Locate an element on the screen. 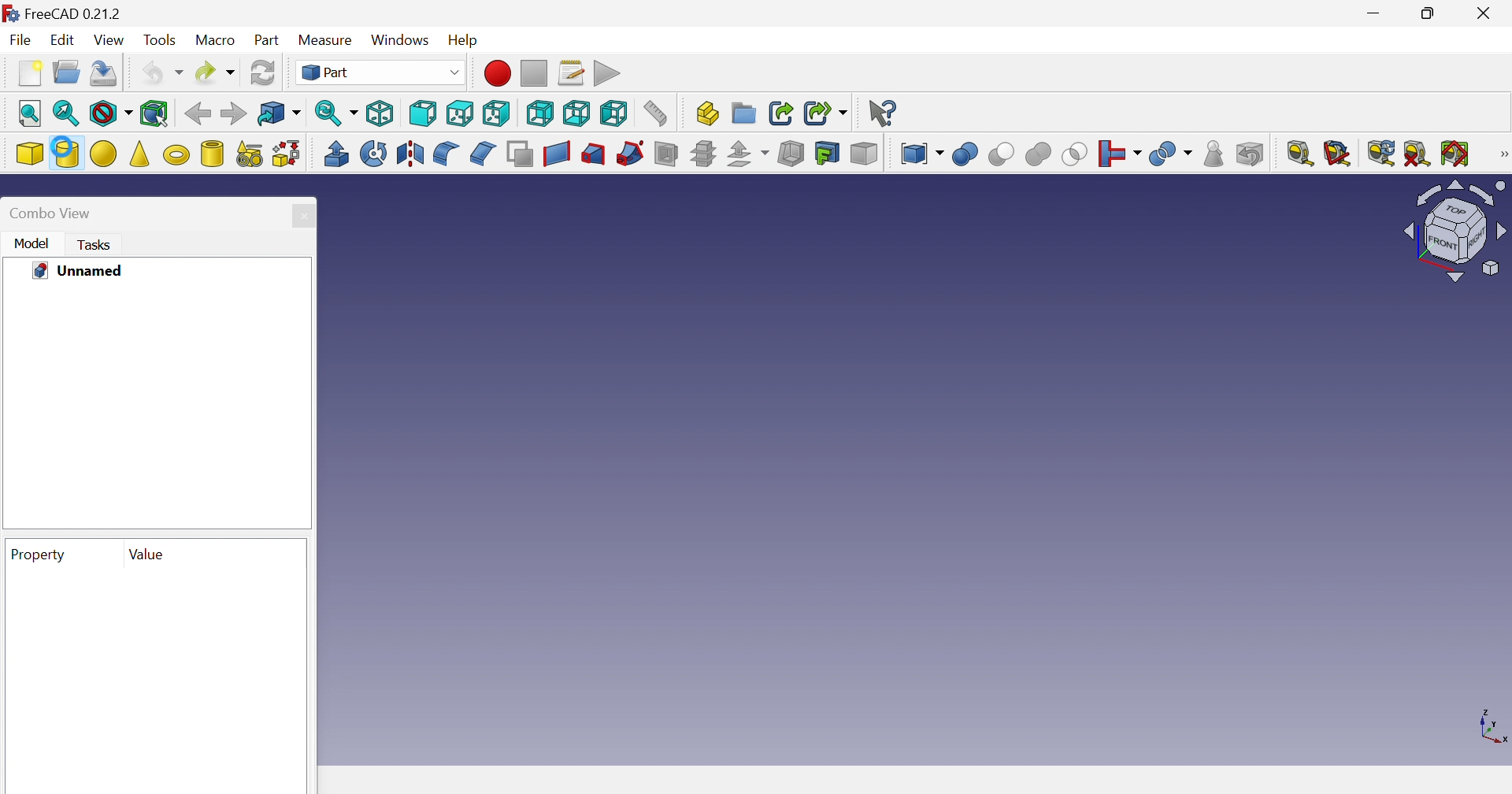  Close is located at coordinates (305, 215).